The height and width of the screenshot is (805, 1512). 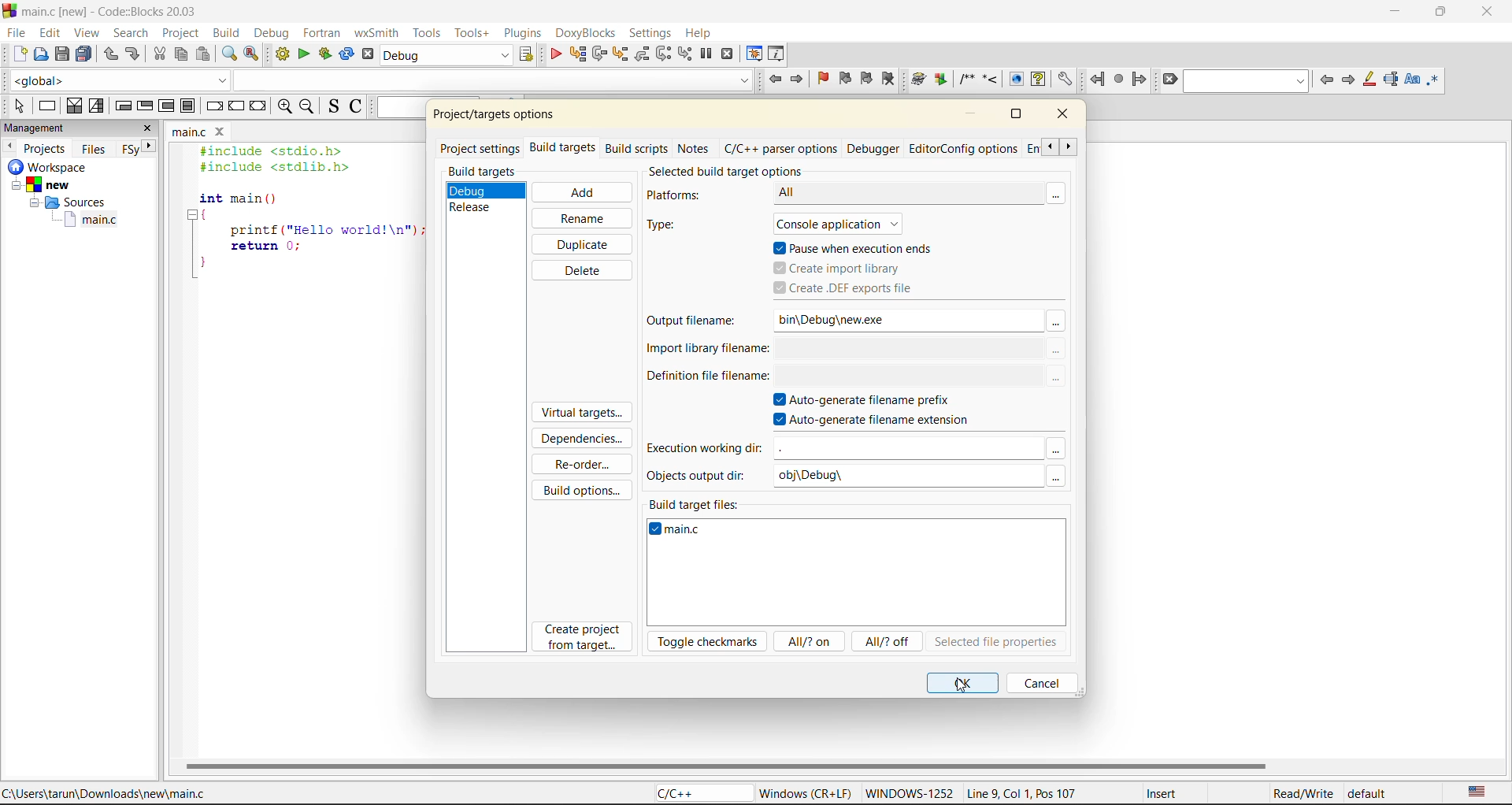 What do you see at coordinates (826, 78) in the screenshot?
I see `toggle bookmark` at bounding box center [826, 78].